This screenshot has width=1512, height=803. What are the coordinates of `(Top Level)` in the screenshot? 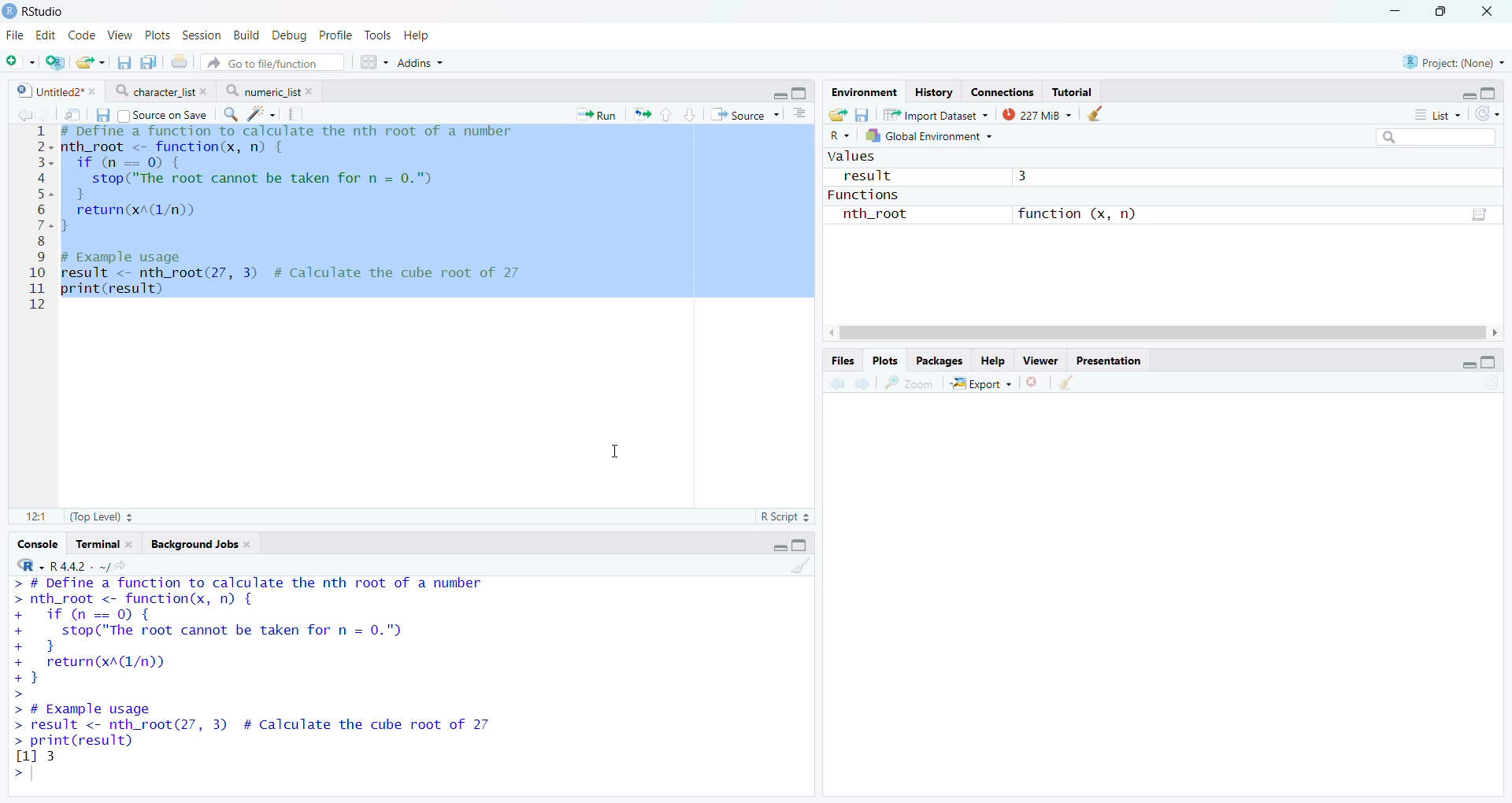 It's located at (100, 516).